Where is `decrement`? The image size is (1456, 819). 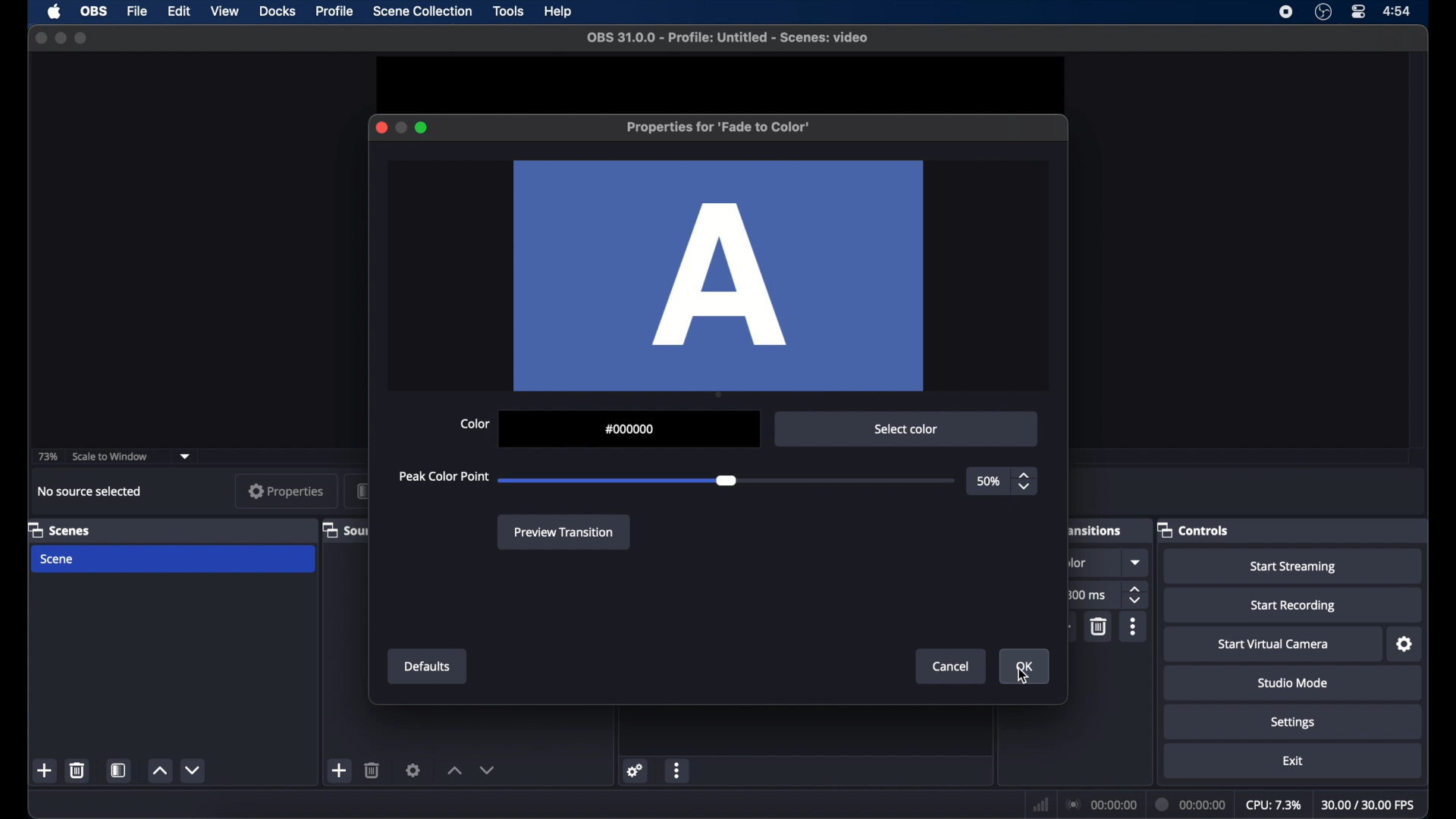 decrement is located at coordinates (487, 770).